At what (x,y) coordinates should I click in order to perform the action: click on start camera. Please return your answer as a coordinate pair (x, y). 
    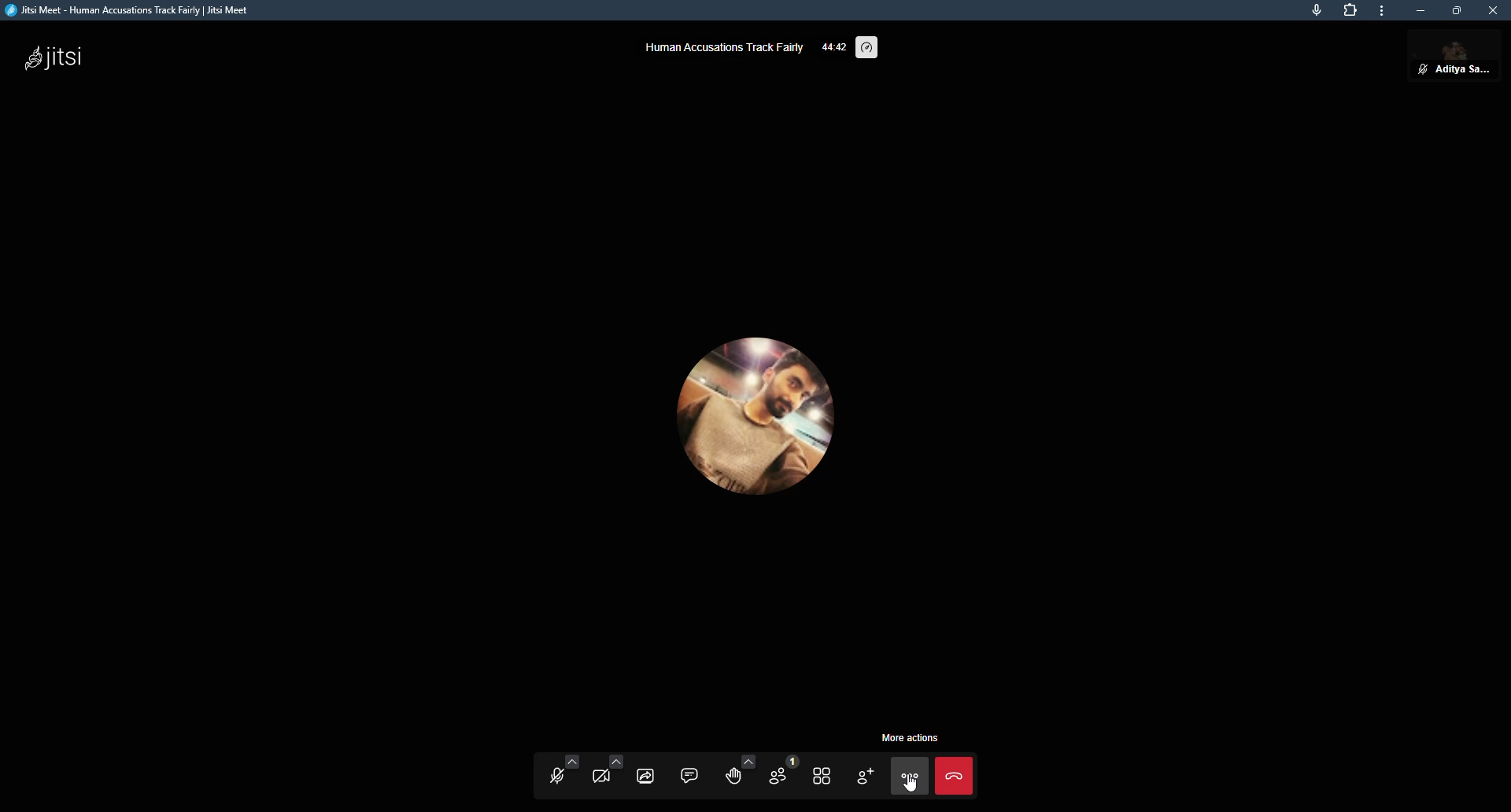
    Looking at the image, I should click on (604, 774).